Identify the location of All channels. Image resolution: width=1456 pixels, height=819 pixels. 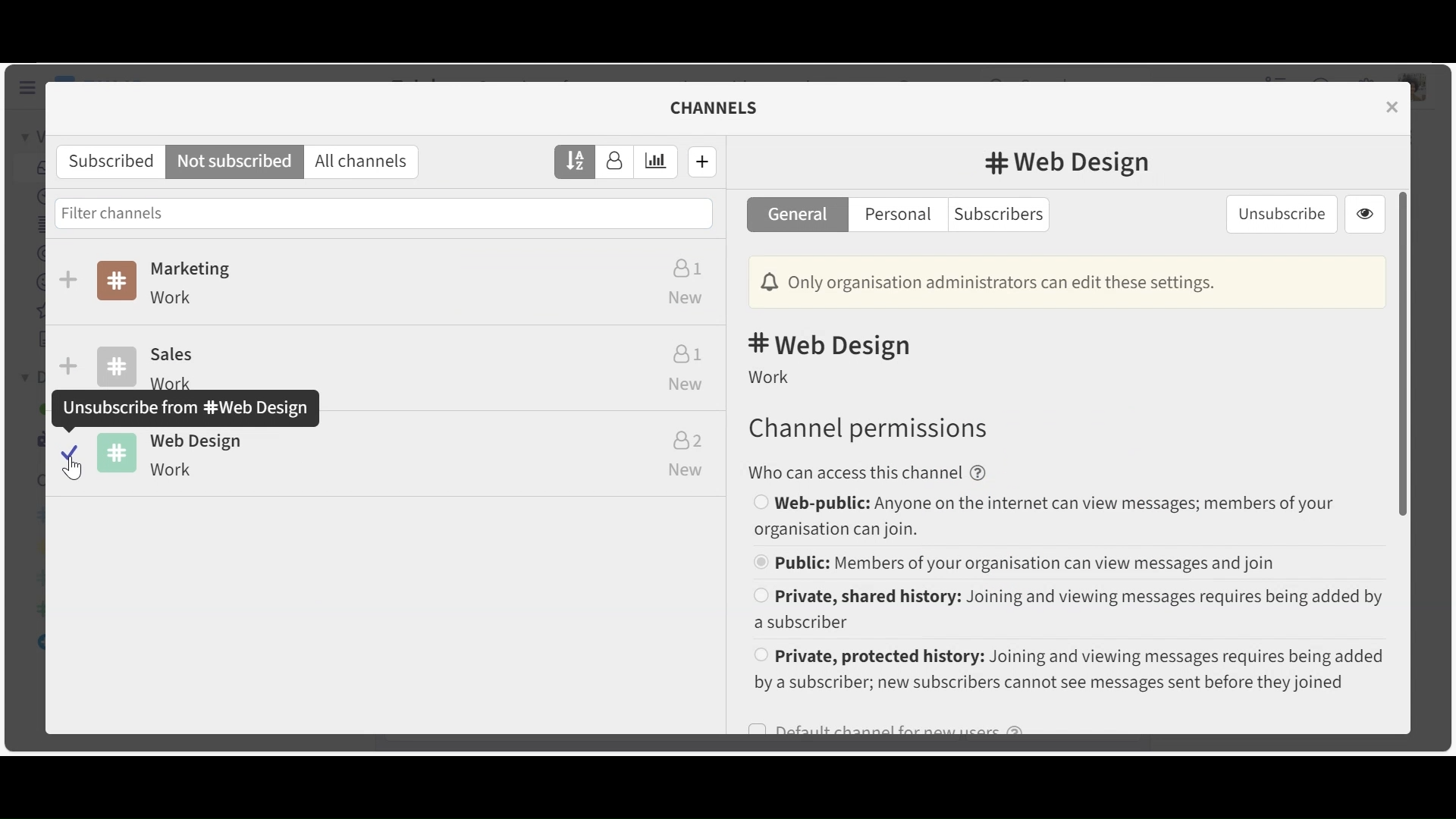
(362, 162).